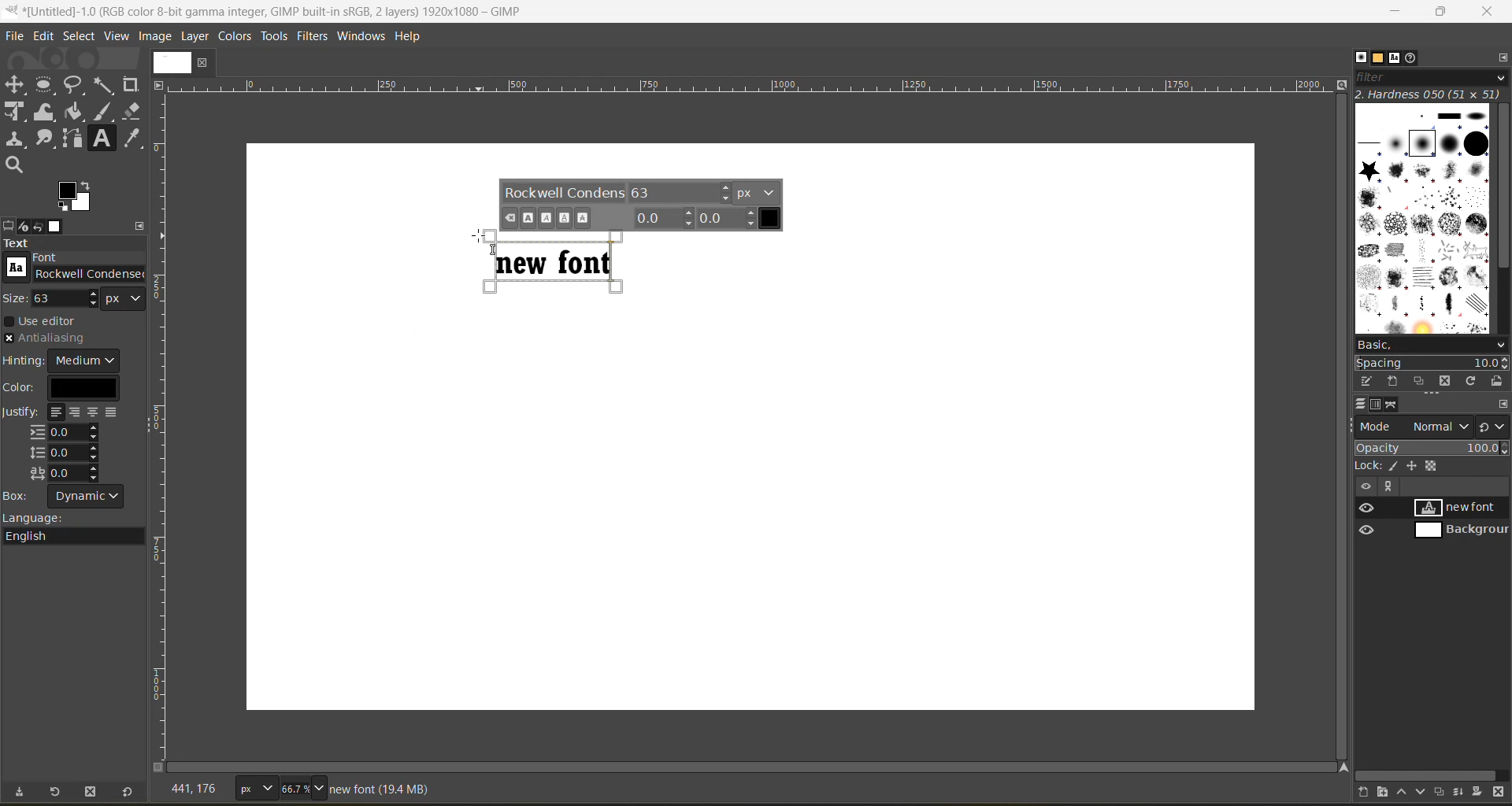  I want to click on vertical scroll bar, so click(1502, 188).